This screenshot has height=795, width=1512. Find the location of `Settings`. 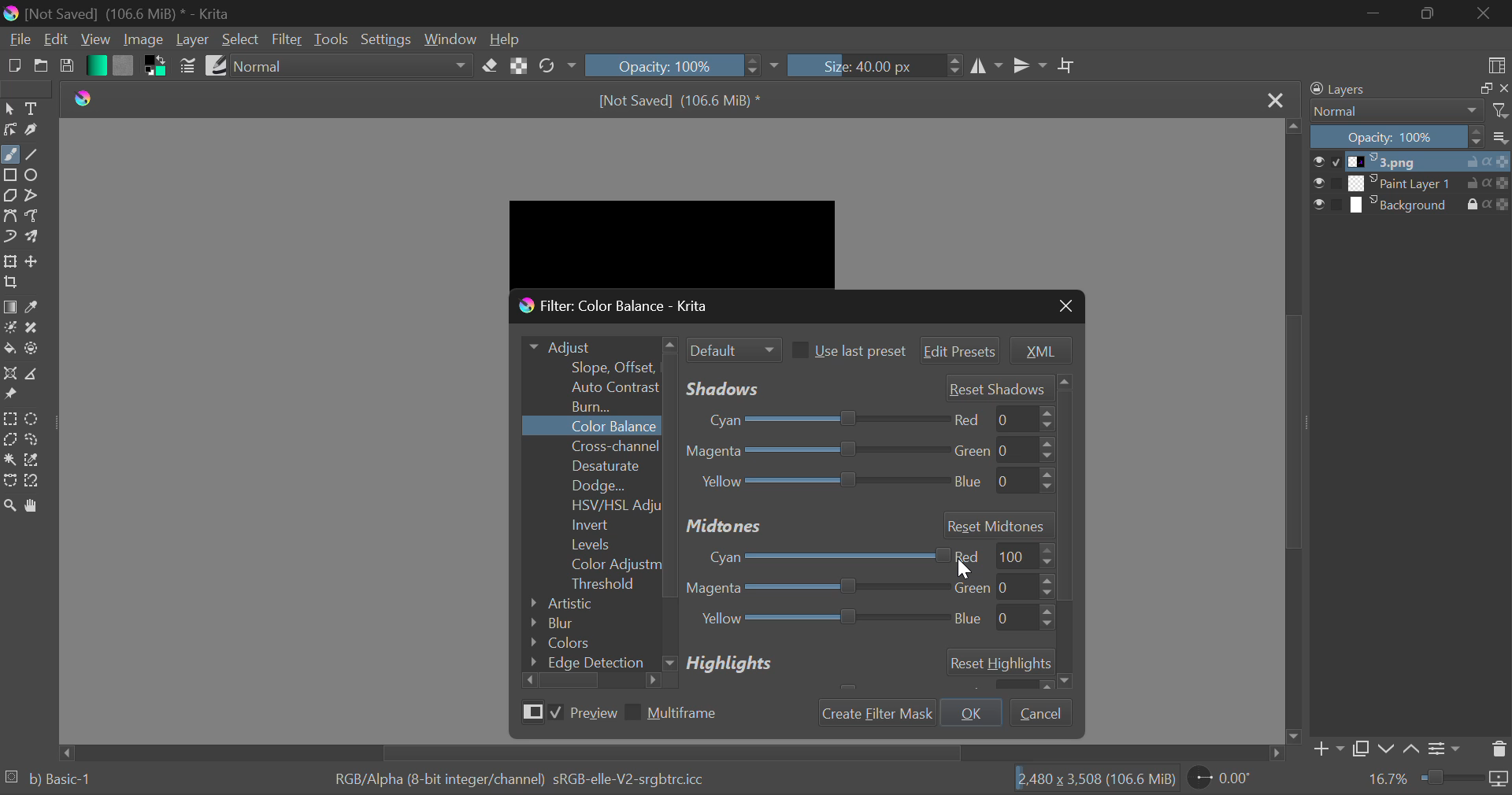

Settings is located at coordinates (1447, 747).